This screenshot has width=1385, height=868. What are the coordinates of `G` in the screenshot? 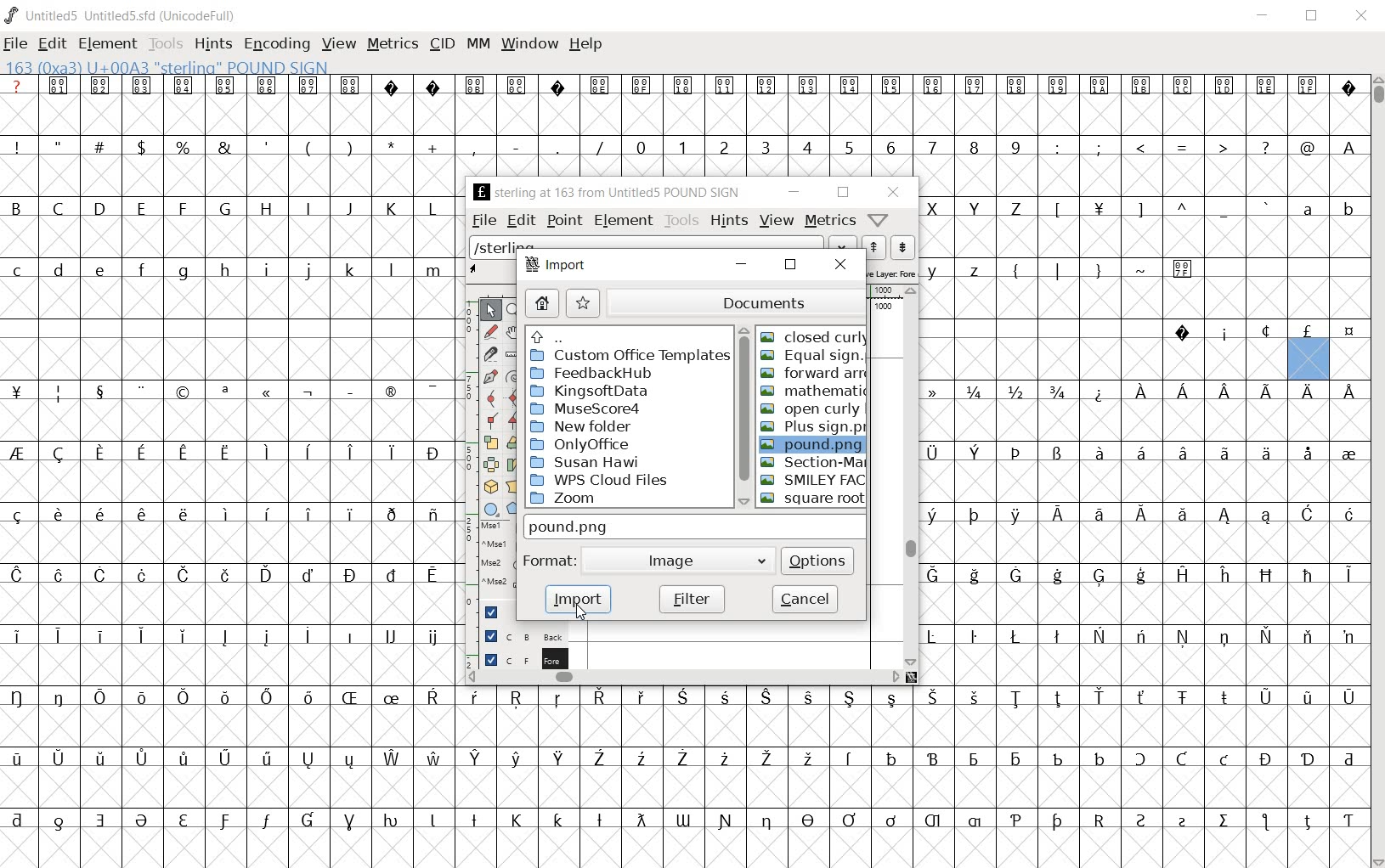 It's located at (223, 208).